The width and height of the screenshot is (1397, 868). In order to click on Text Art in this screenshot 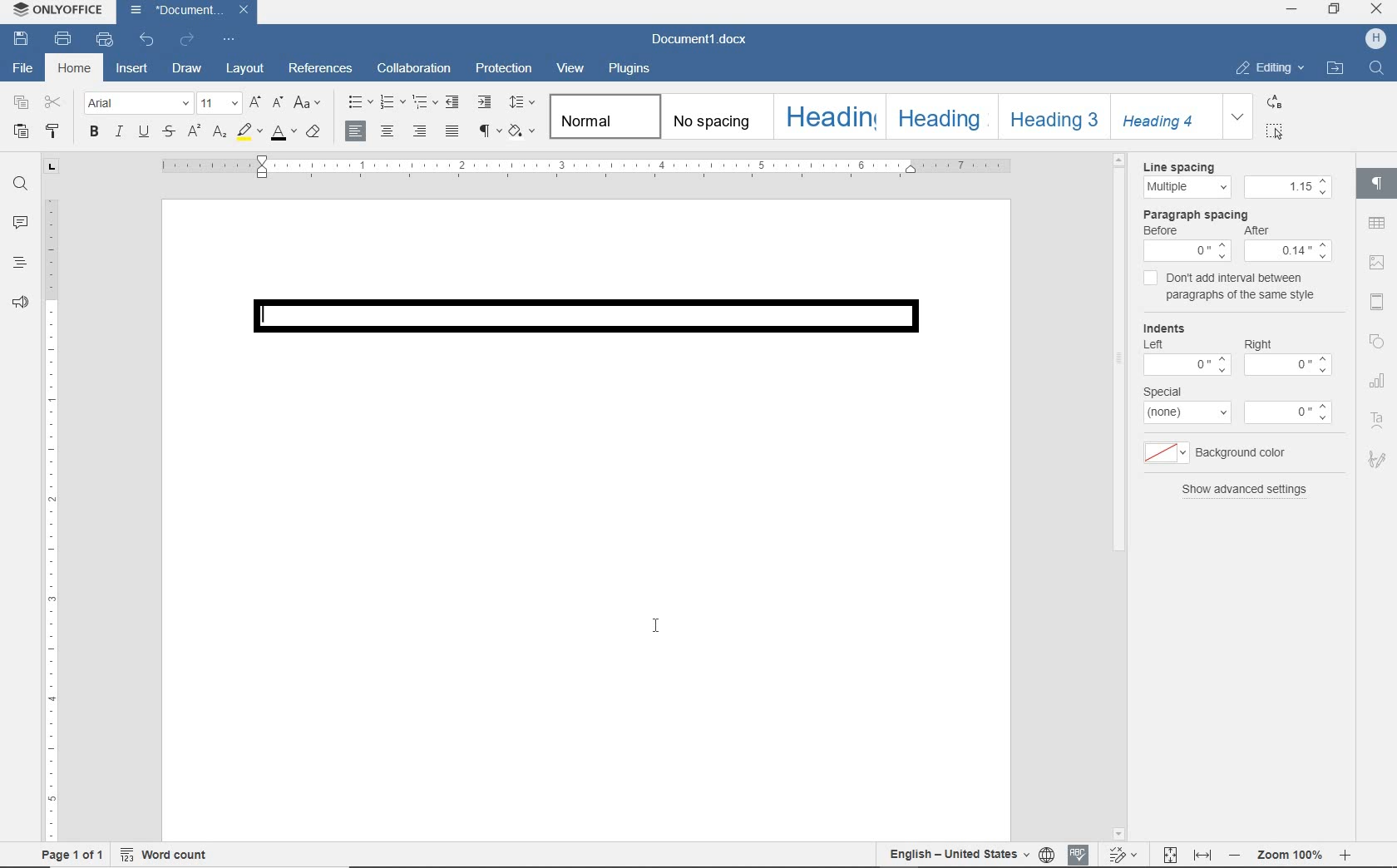, I will do `click(1379, 421)`.